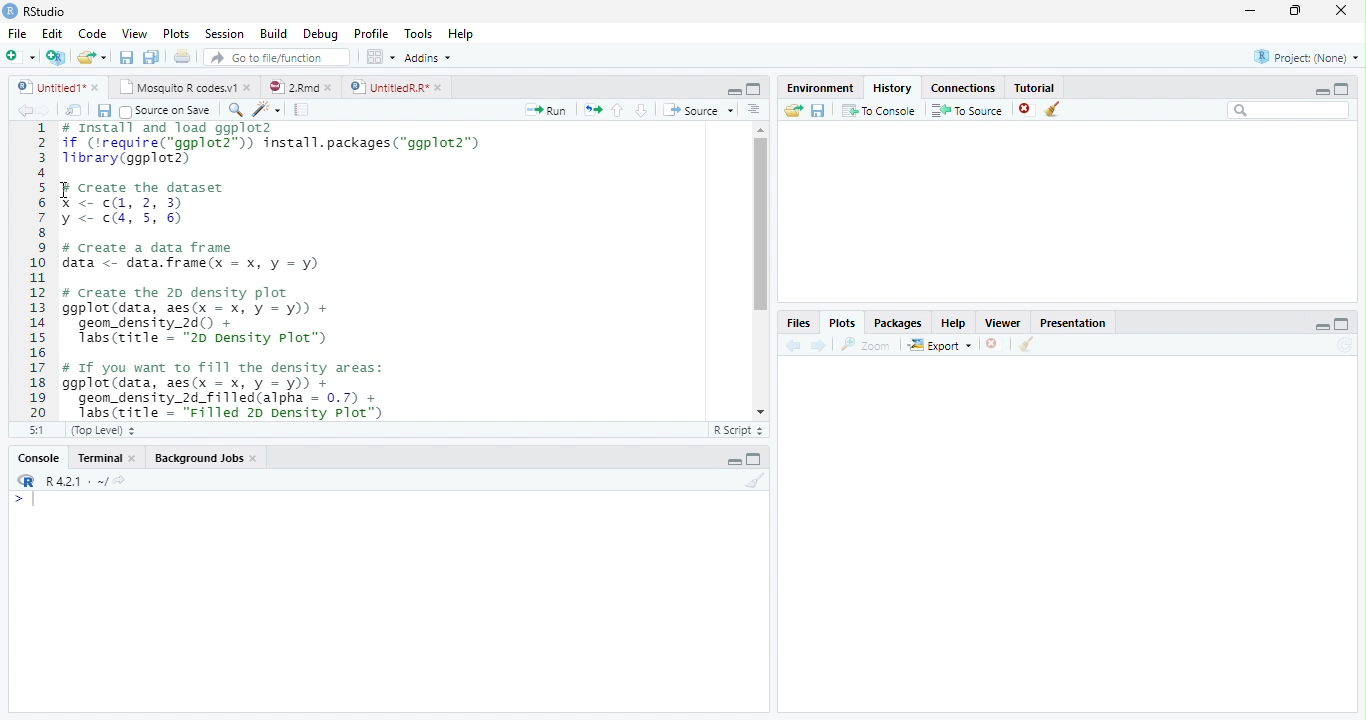 This screenshot has width=1366, height=720. Describe the element at coordinates (953, 325) in the screenshot. I see `Help` at that location.